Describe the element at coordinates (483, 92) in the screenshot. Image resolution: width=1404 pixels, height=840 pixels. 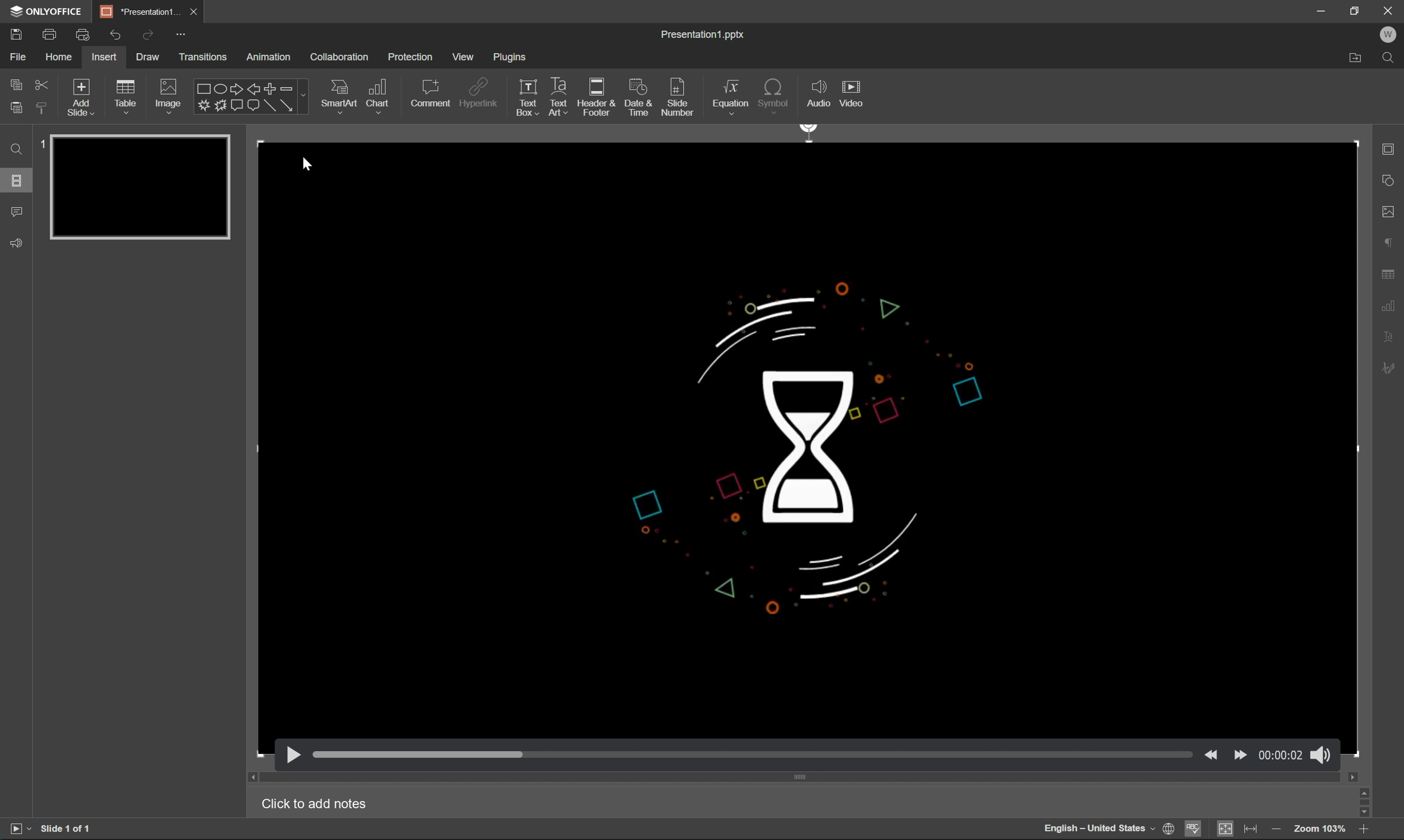
I see `hyperlink` at that location.